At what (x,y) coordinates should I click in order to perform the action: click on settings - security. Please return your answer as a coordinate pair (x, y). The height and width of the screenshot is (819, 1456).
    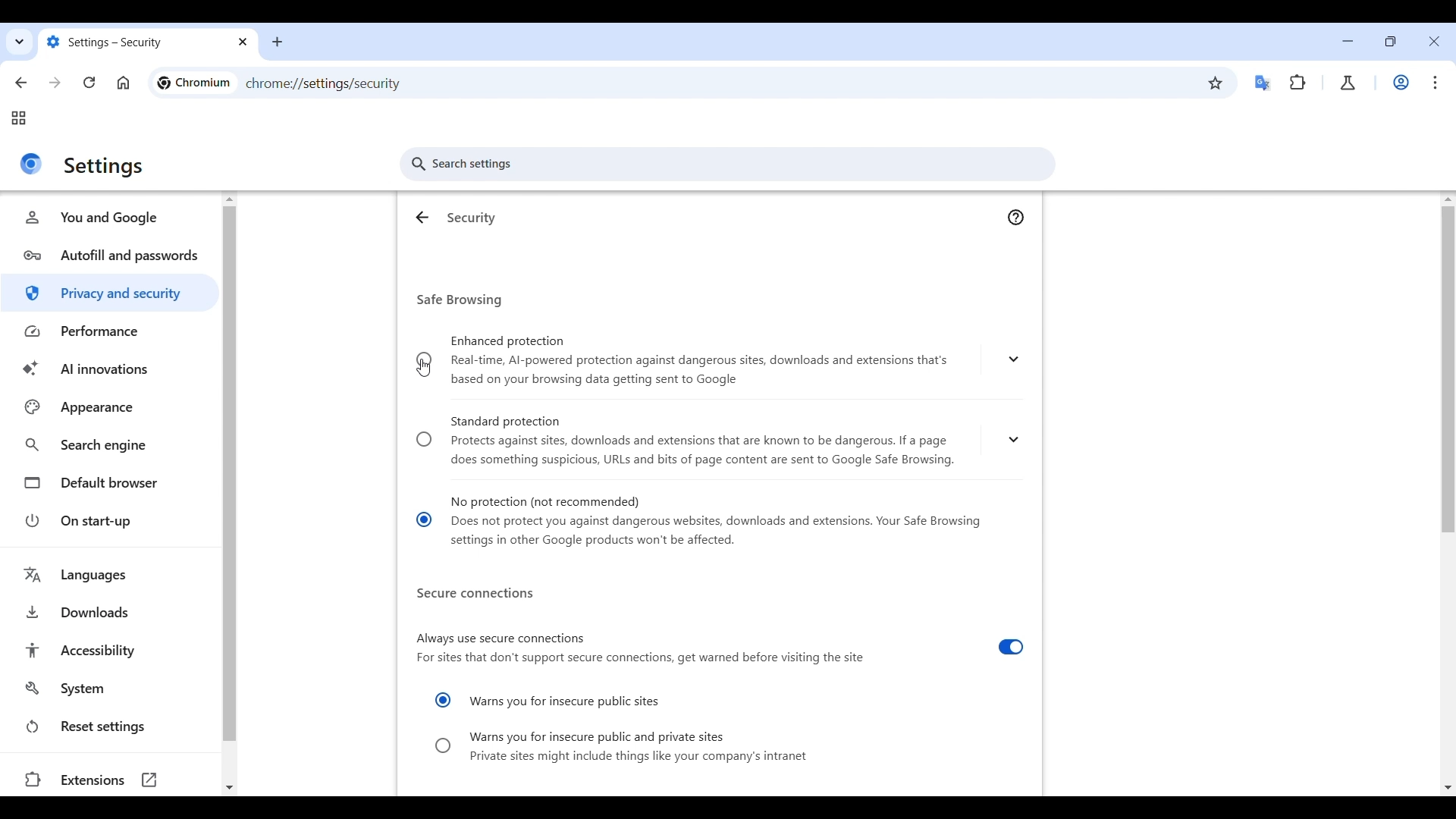
    Looking at the image, I should click on (134, 42).